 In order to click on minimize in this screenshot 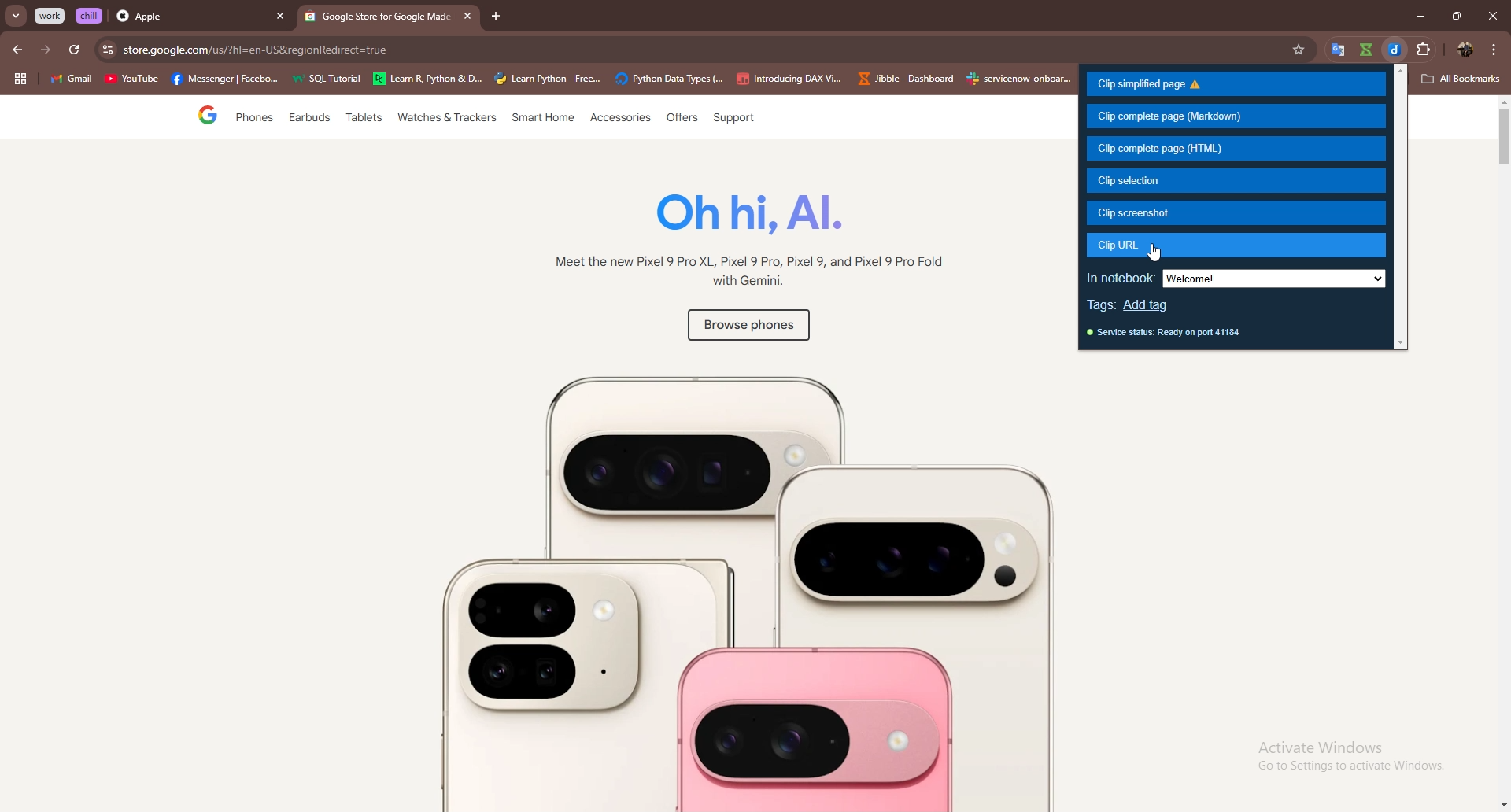, I will do `click(1416, 17)`.